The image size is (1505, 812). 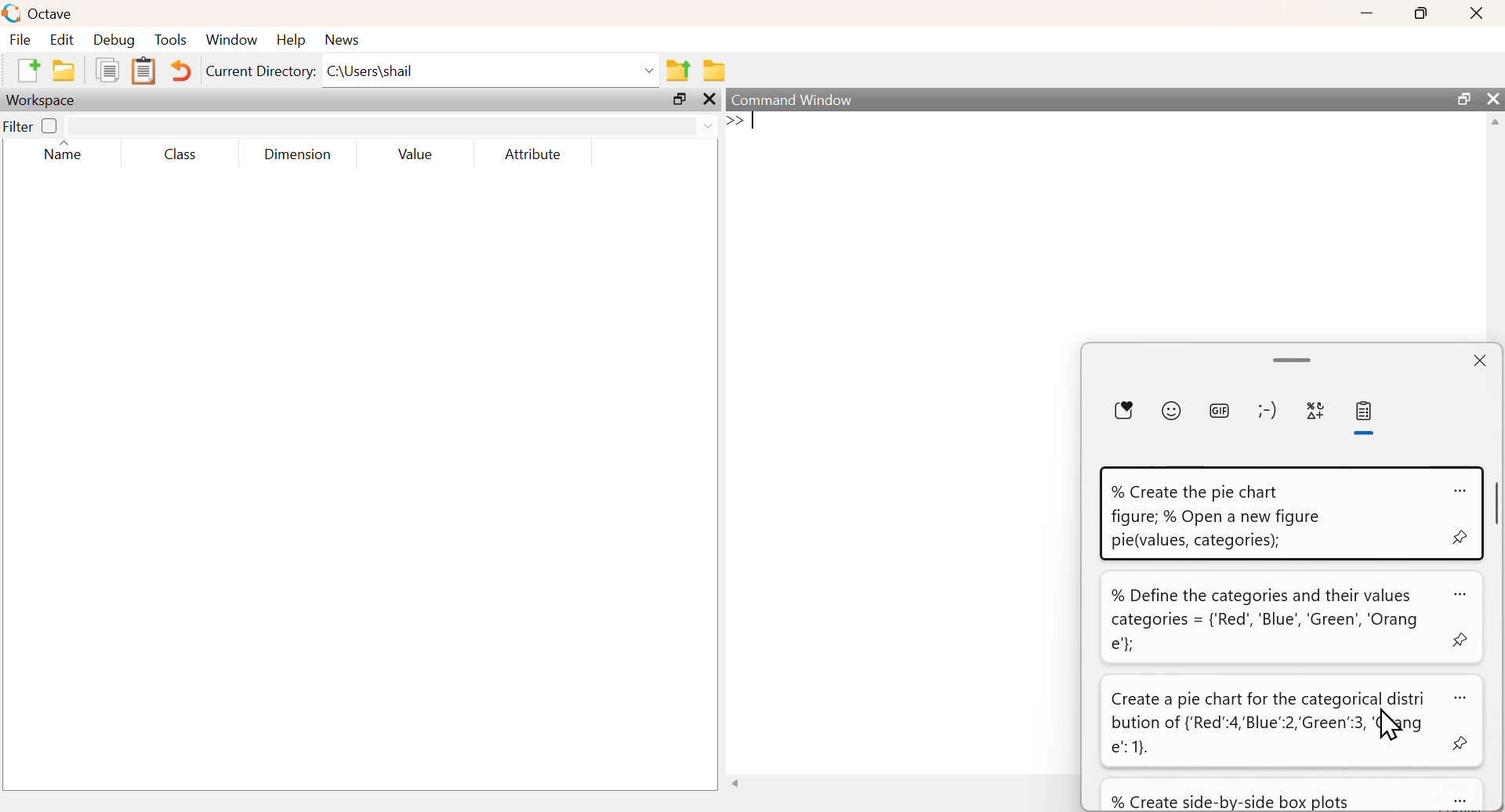 What do you see at coordinates (1122, 409) in the screenshot?
I see `favorite` at bounding box center [1122, 409].